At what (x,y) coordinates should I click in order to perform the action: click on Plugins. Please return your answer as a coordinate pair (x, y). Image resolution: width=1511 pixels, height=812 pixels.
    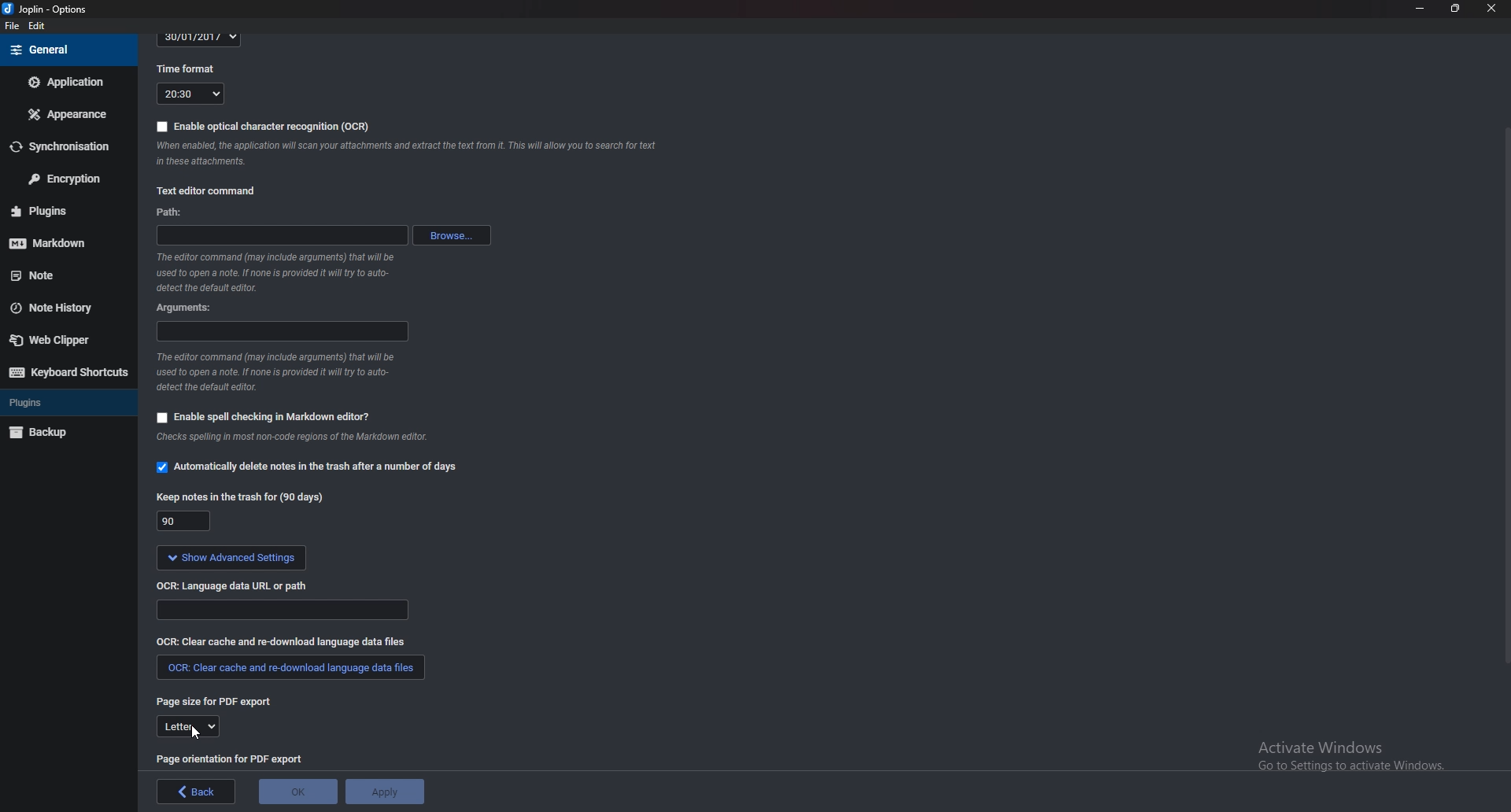
    Looking at the image, I should click on (60, 401).